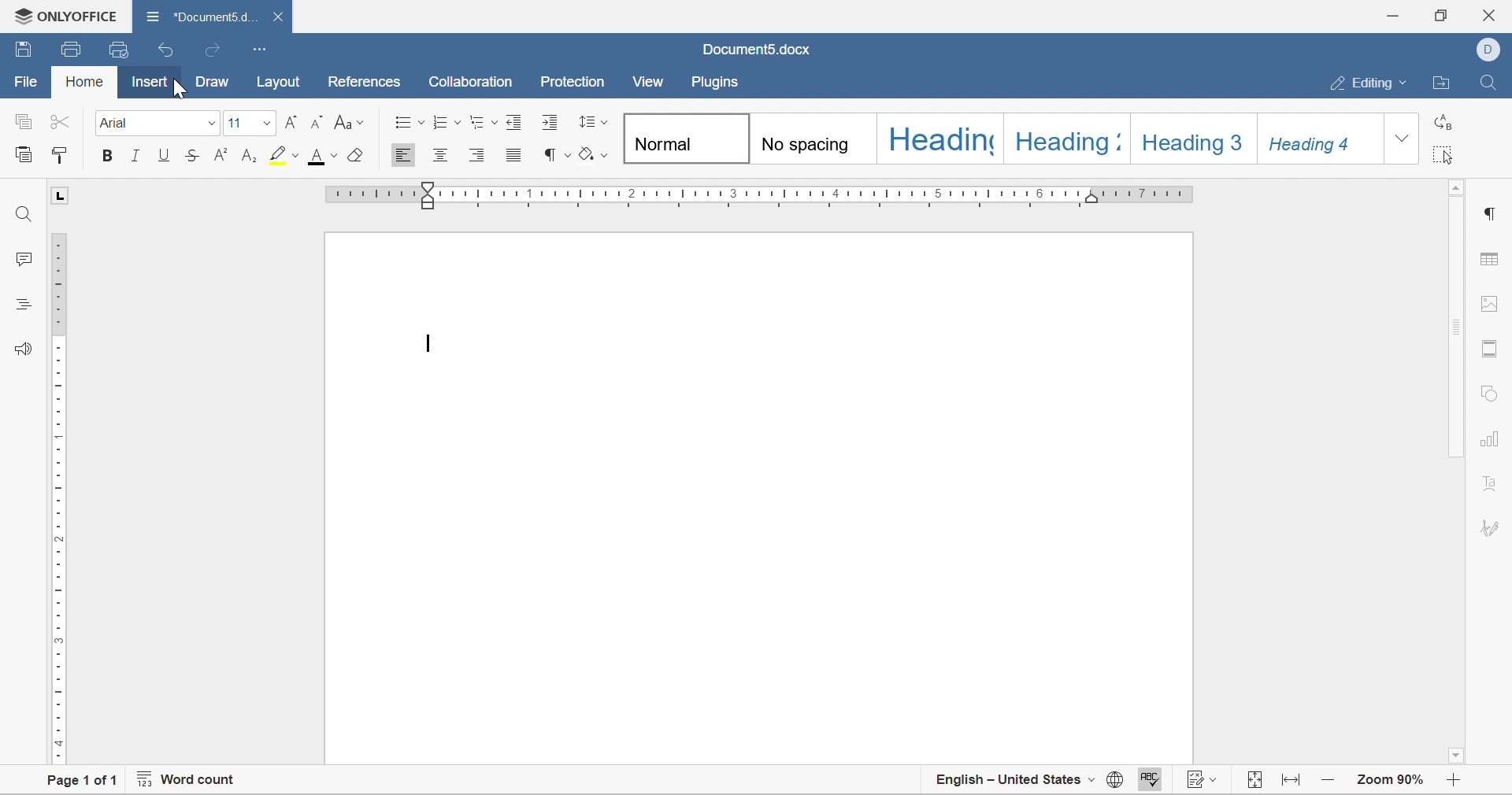  Describe the element at coordinates (591, 121) in the screenshot. I see `paragraph line spacing` at that location.